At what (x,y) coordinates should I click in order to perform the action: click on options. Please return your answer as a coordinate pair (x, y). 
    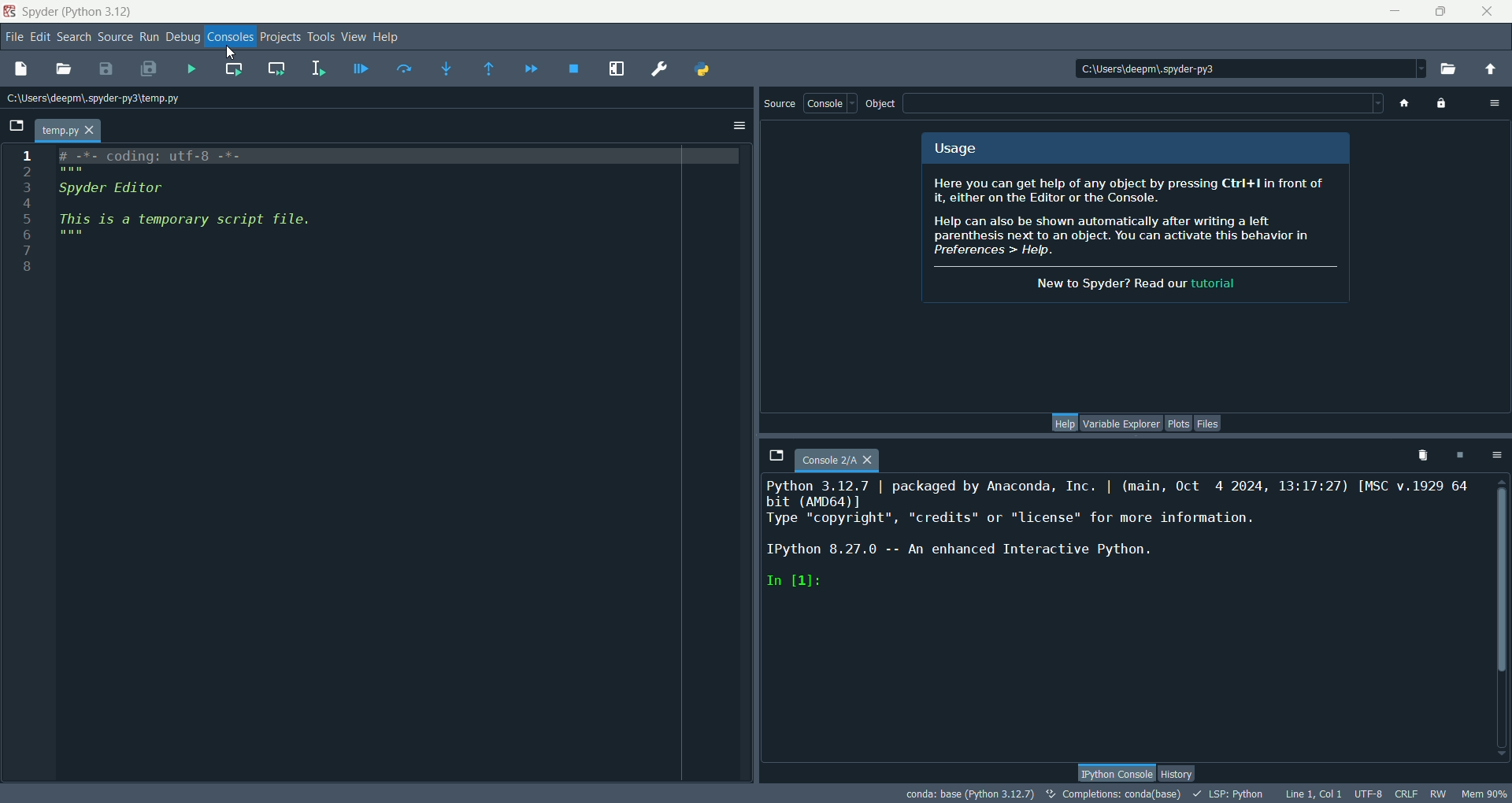
    Looking at the image, I should click on (739, 125).